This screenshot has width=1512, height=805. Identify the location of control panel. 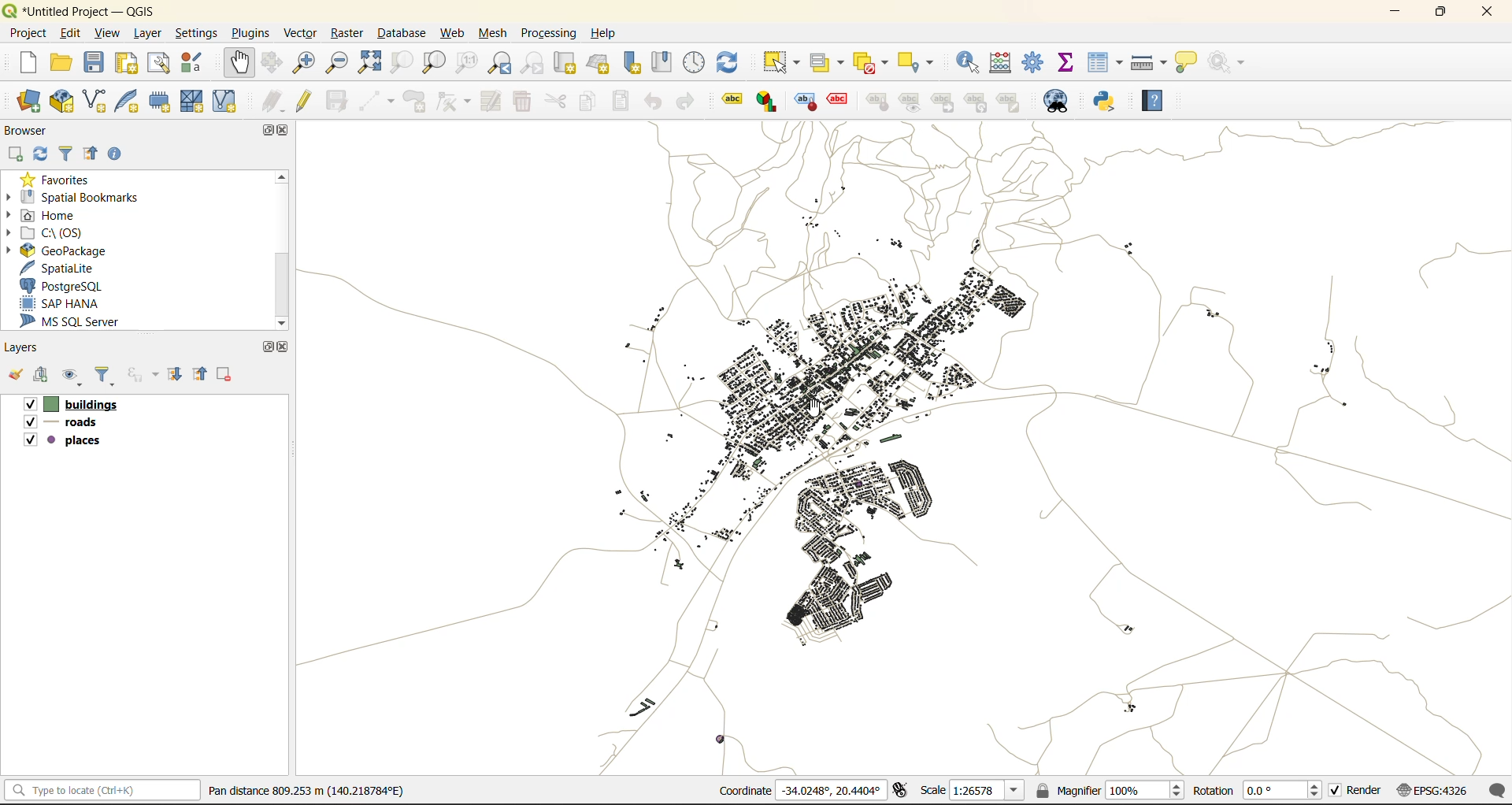
(693, 65).